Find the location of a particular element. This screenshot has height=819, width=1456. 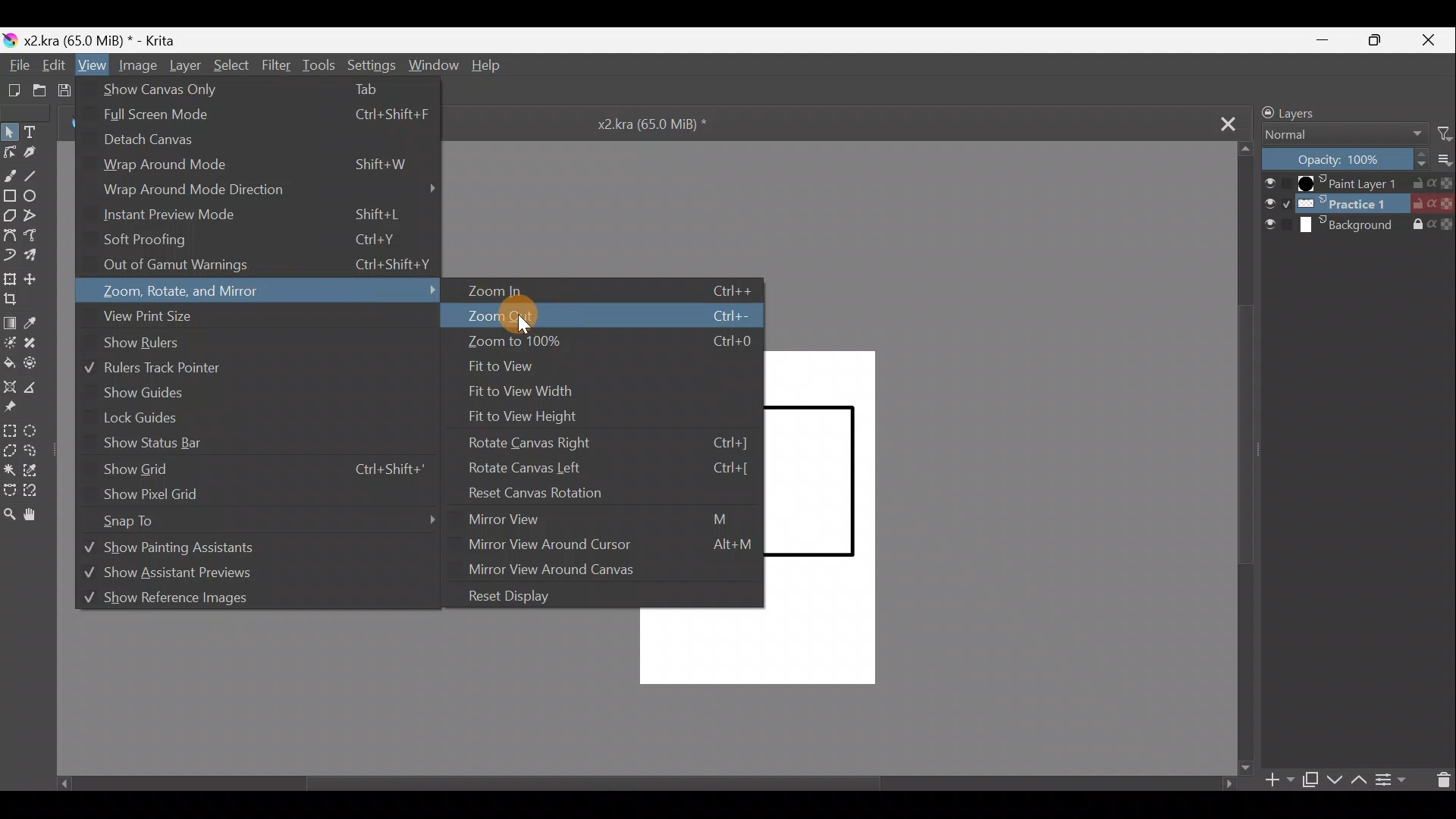

Close is located at coordinates (1432, 39).